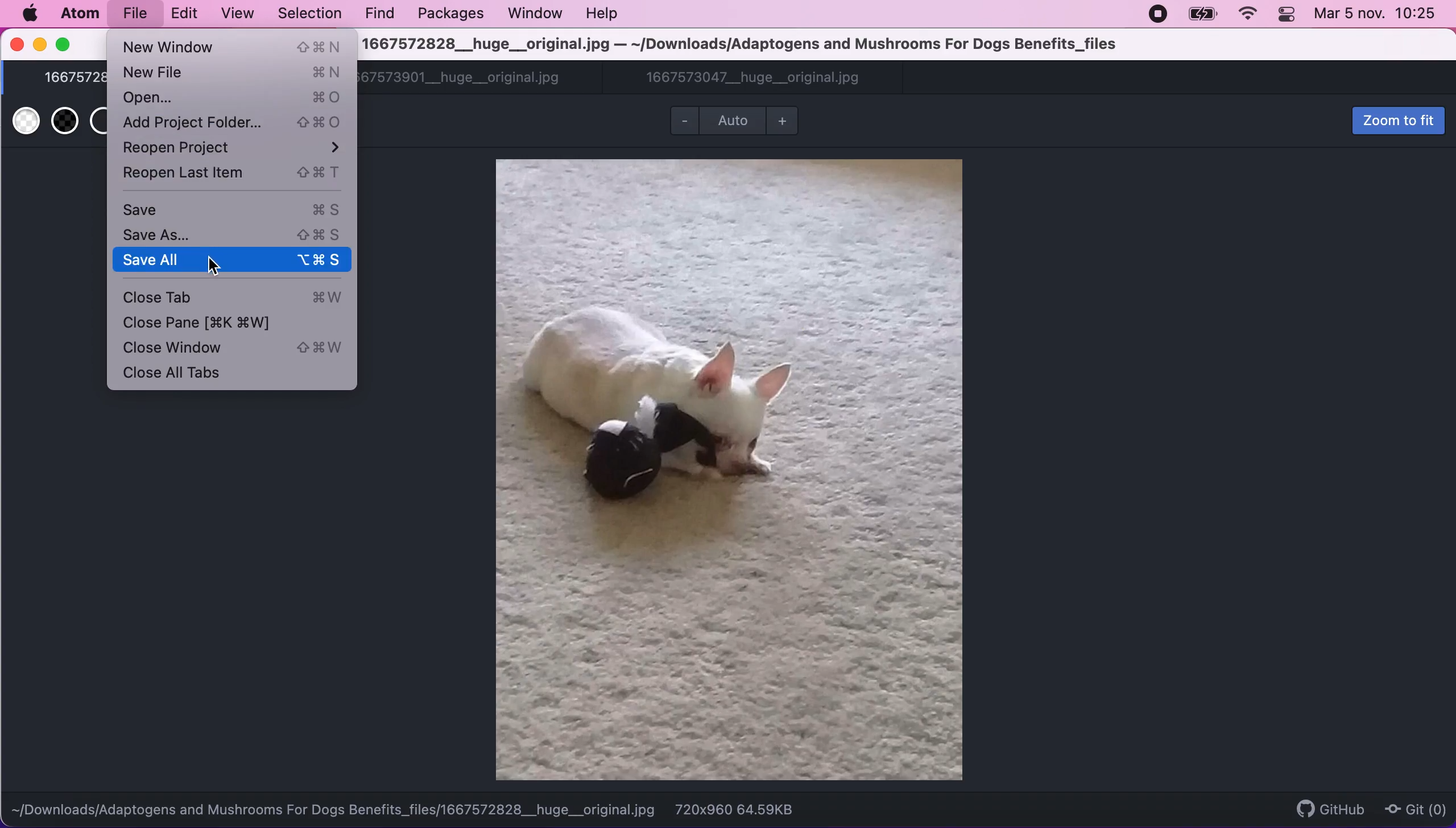 Image resolution: width=1456 pixels, height=828 pixels. I want to click on Auto, so click(733, 122).